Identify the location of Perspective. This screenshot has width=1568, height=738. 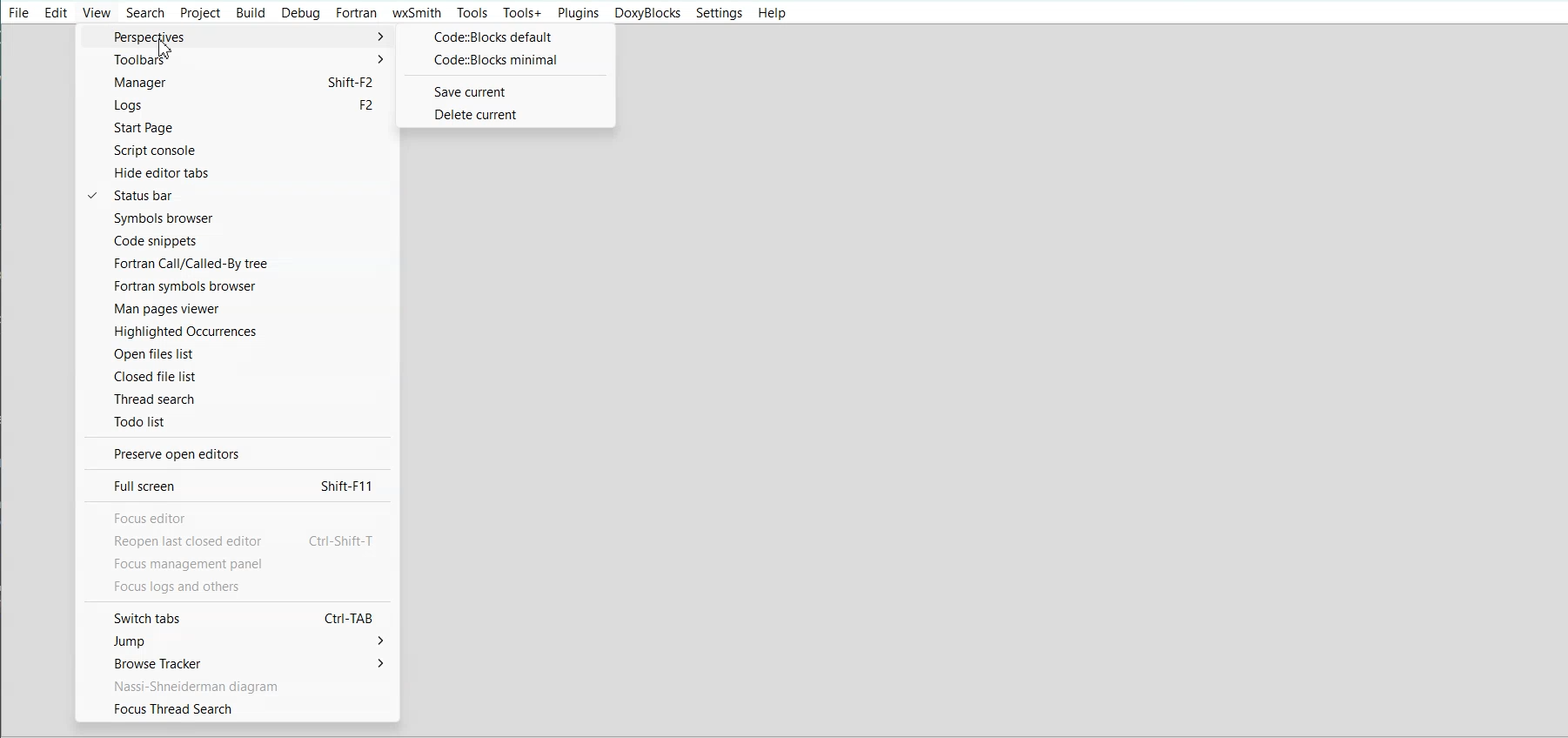
(238, 37).